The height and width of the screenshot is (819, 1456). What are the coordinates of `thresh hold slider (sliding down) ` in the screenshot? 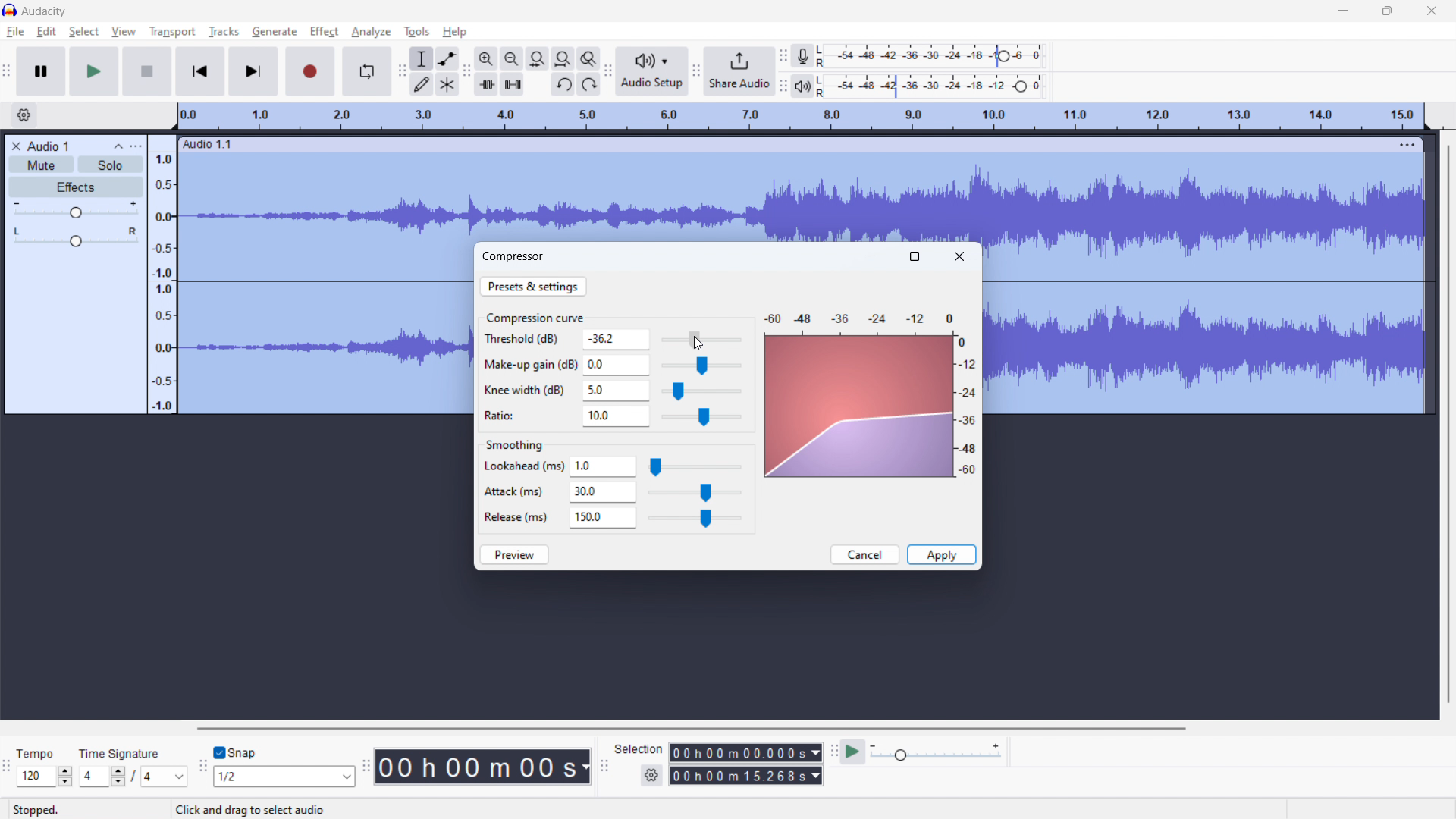 It's located at (700, 340).